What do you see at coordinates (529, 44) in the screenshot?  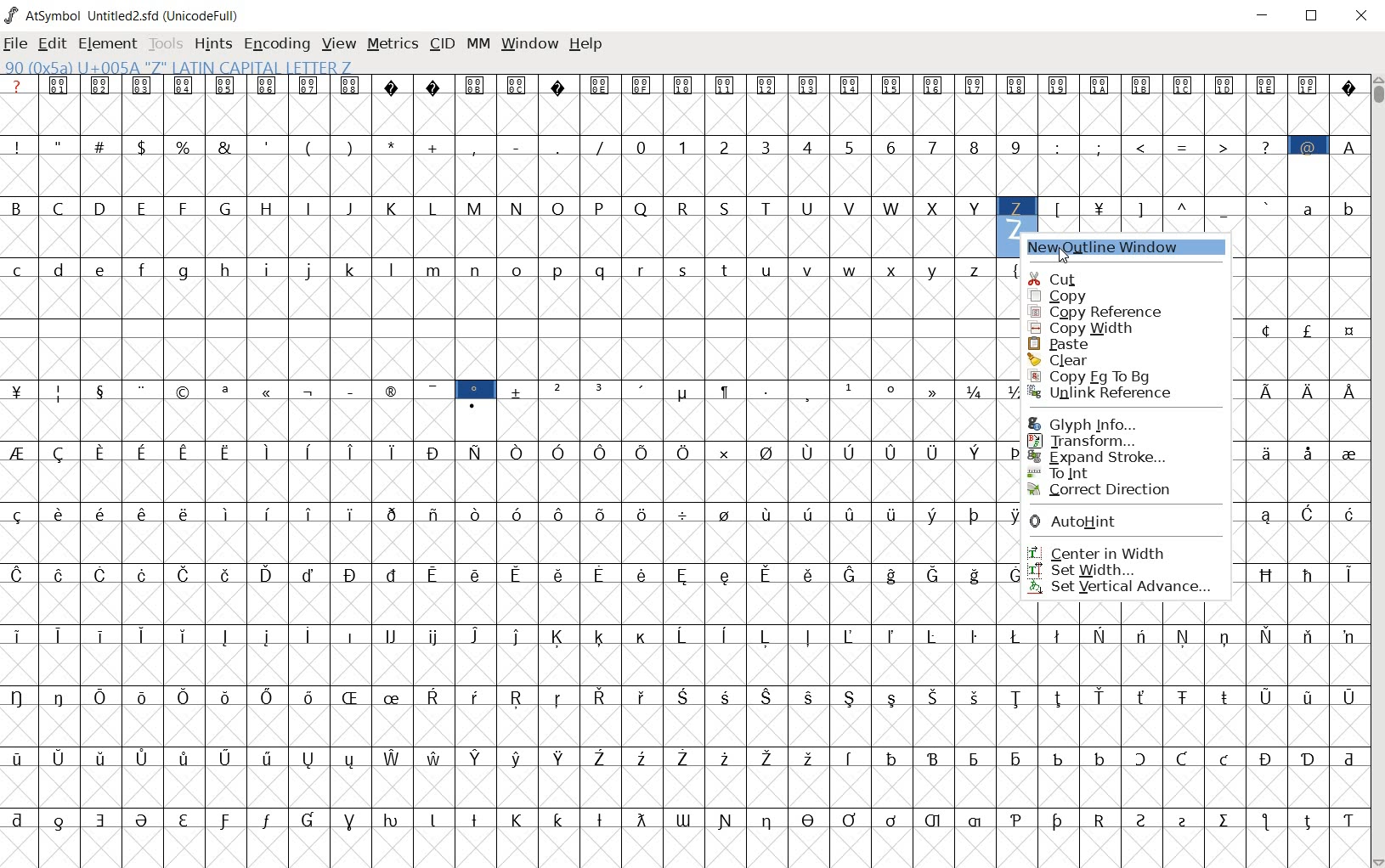 I see `window` at bounding box center [529, 44].